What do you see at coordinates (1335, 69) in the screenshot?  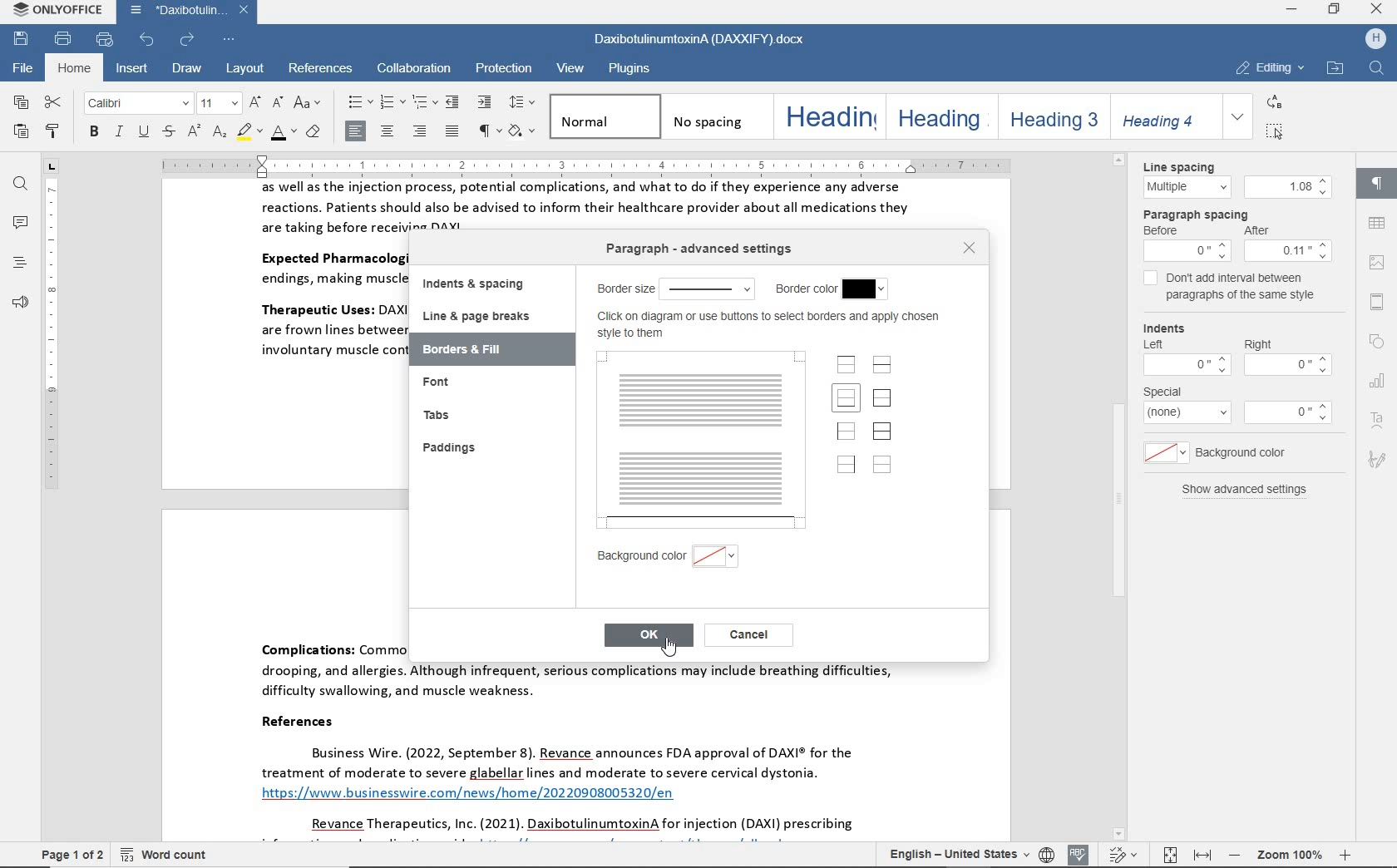 I see `open file location` at bounding box center [1335, 69].